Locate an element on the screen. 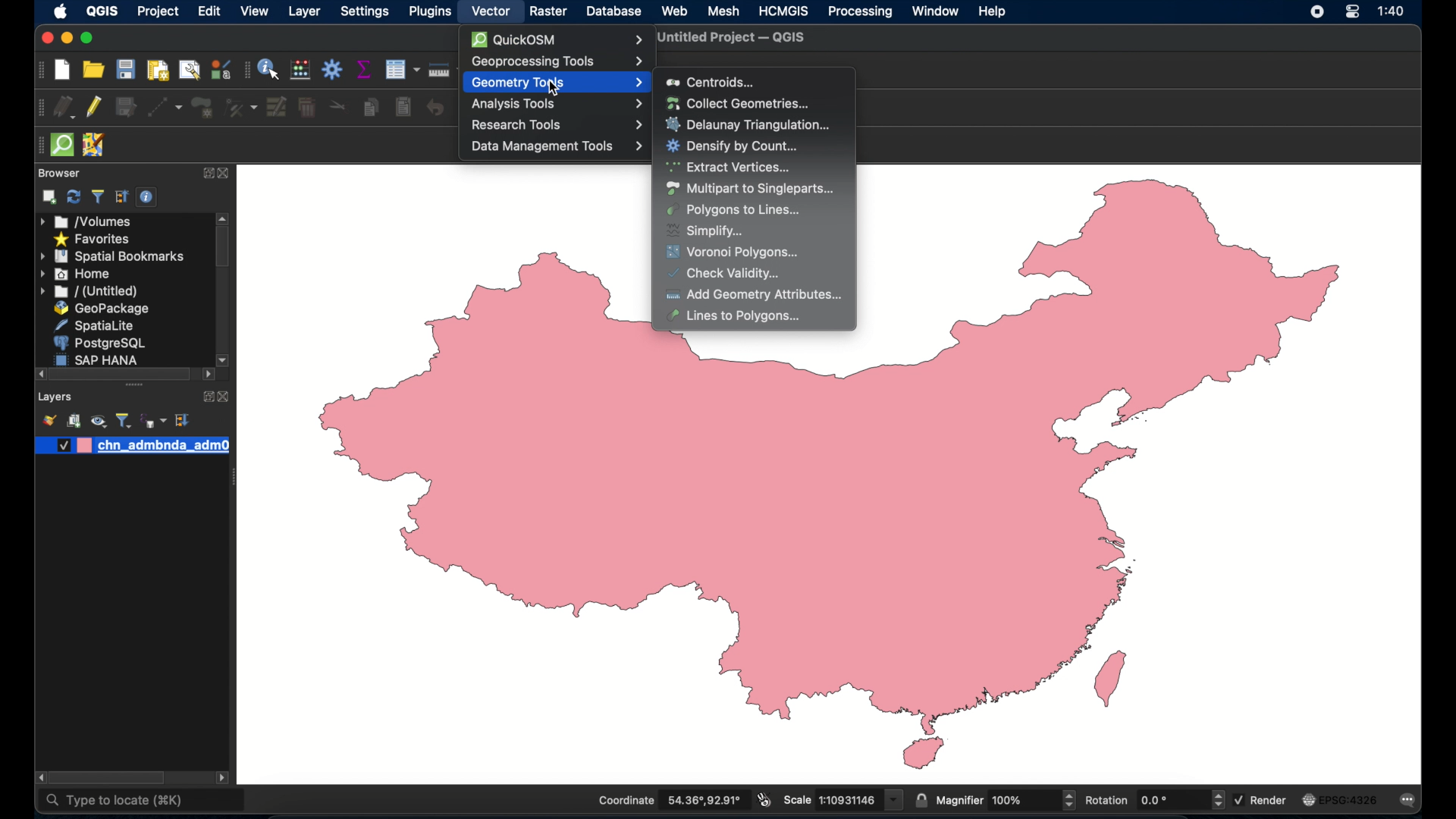 The width and height of the screenshot is (1456, 819). research tools menu is located at coordinates (556, 125).